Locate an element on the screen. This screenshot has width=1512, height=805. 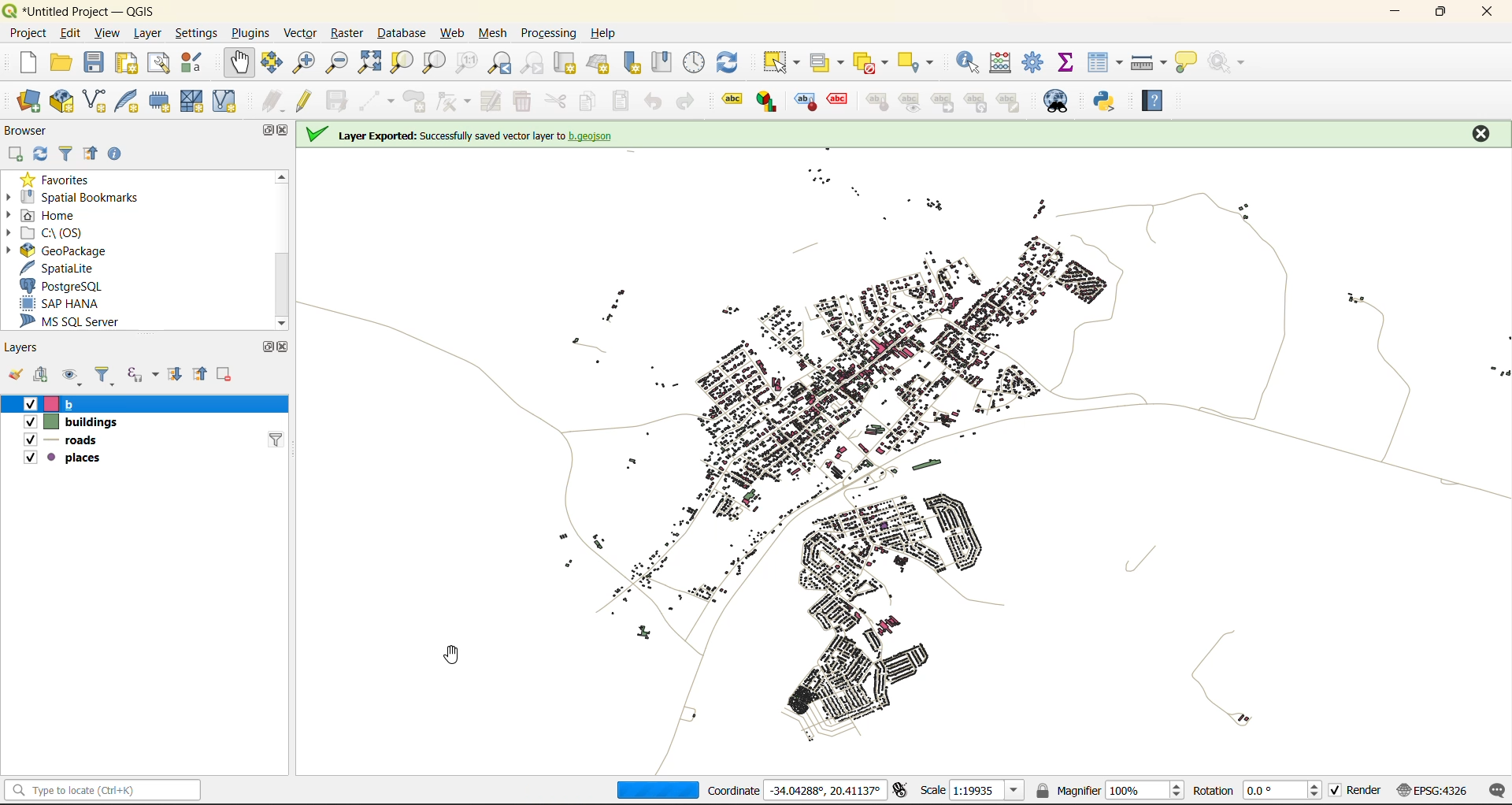
python is located at coordinates (1109, 101).